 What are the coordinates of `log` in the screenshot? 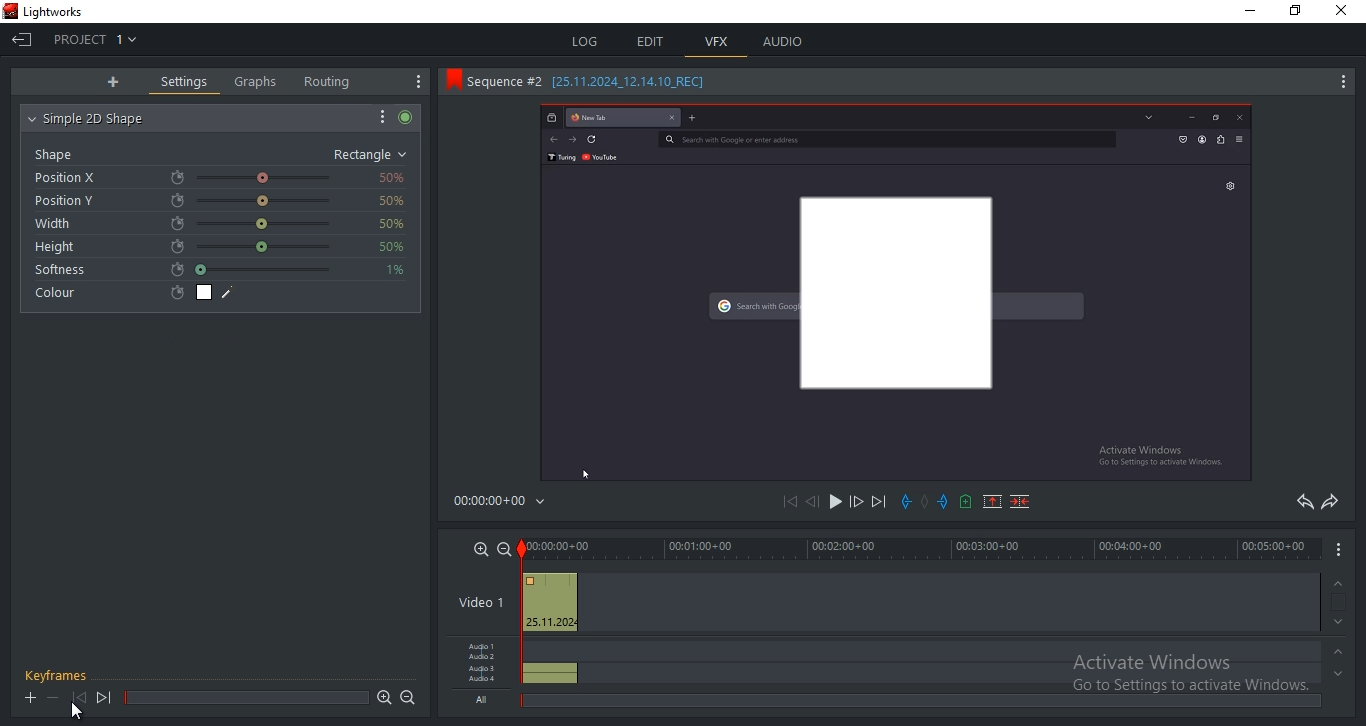 It's located at (583, 39).